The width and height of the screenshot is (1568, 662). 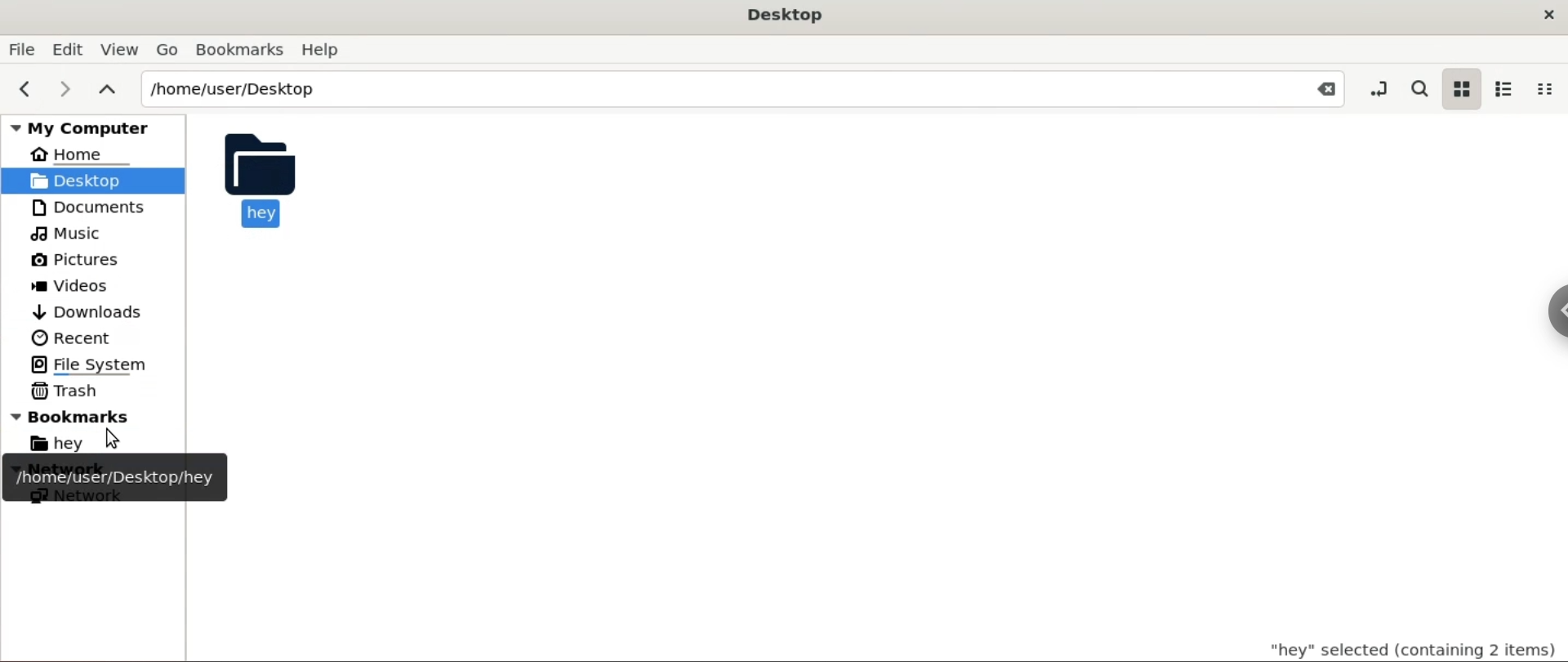 What do you see at coordinates (1549, 88) in the screenshot?
I see `compact view` at bounding box center [1549, 88].